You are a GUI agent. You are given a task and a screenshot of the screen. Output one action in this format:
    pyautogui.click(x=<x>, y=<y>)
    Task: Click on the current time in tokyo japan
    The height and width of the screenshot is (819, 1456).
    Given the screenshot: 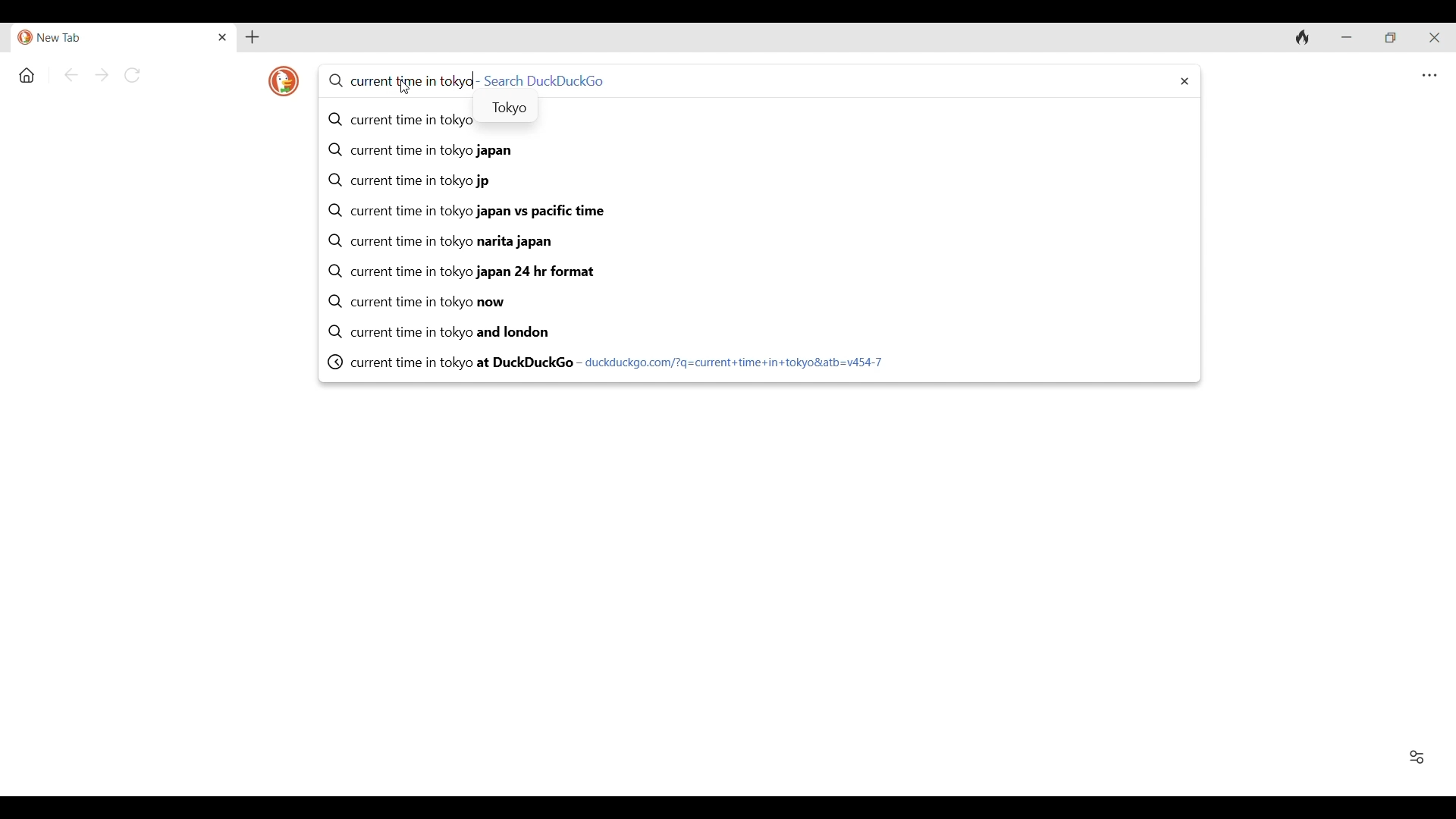 What is the action you would take?
    pyautogui.click(x=418, y=149)
    